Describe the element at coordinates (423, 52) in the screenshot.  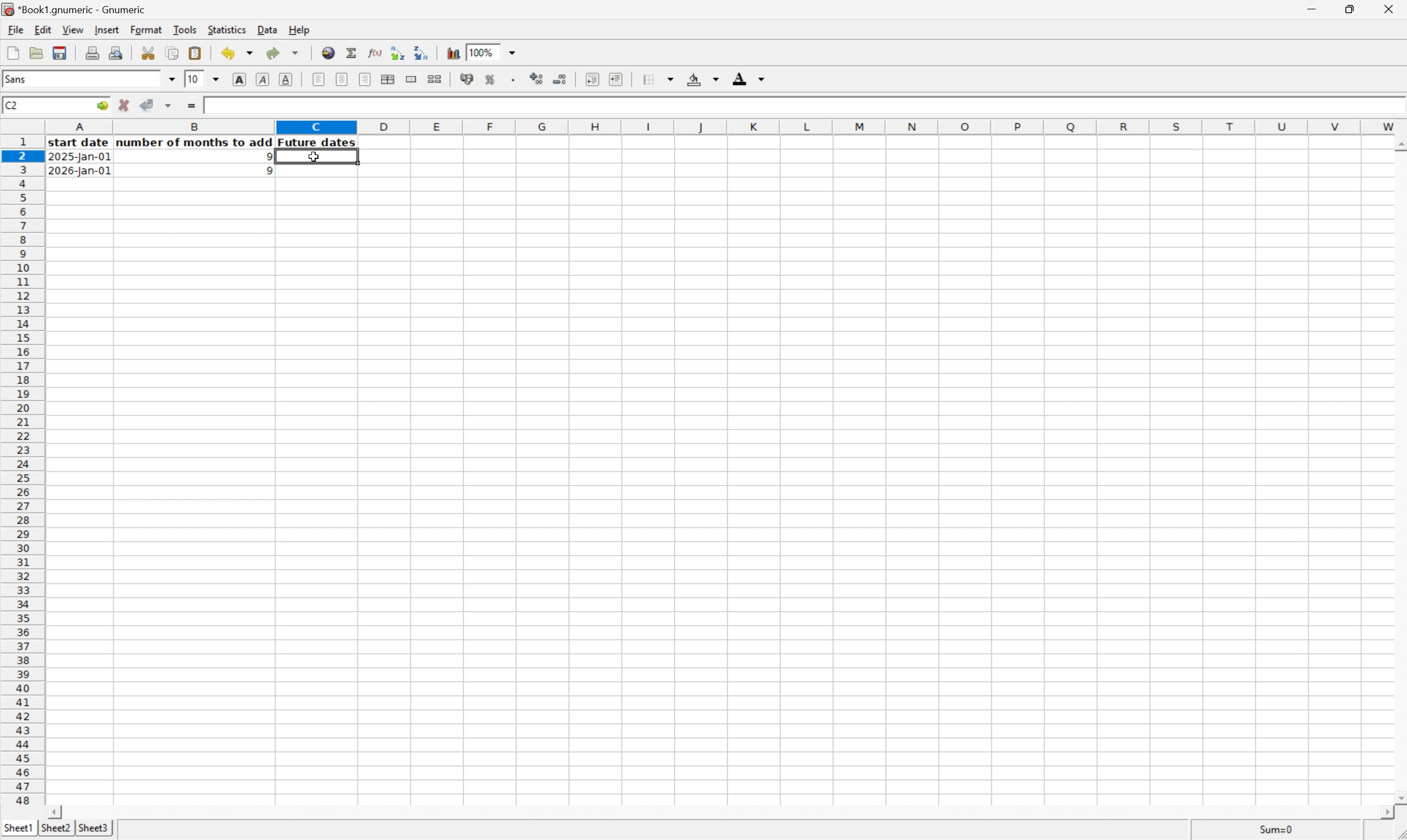
I see `Sort the selected region in descending order based on the first column selected` at that location.